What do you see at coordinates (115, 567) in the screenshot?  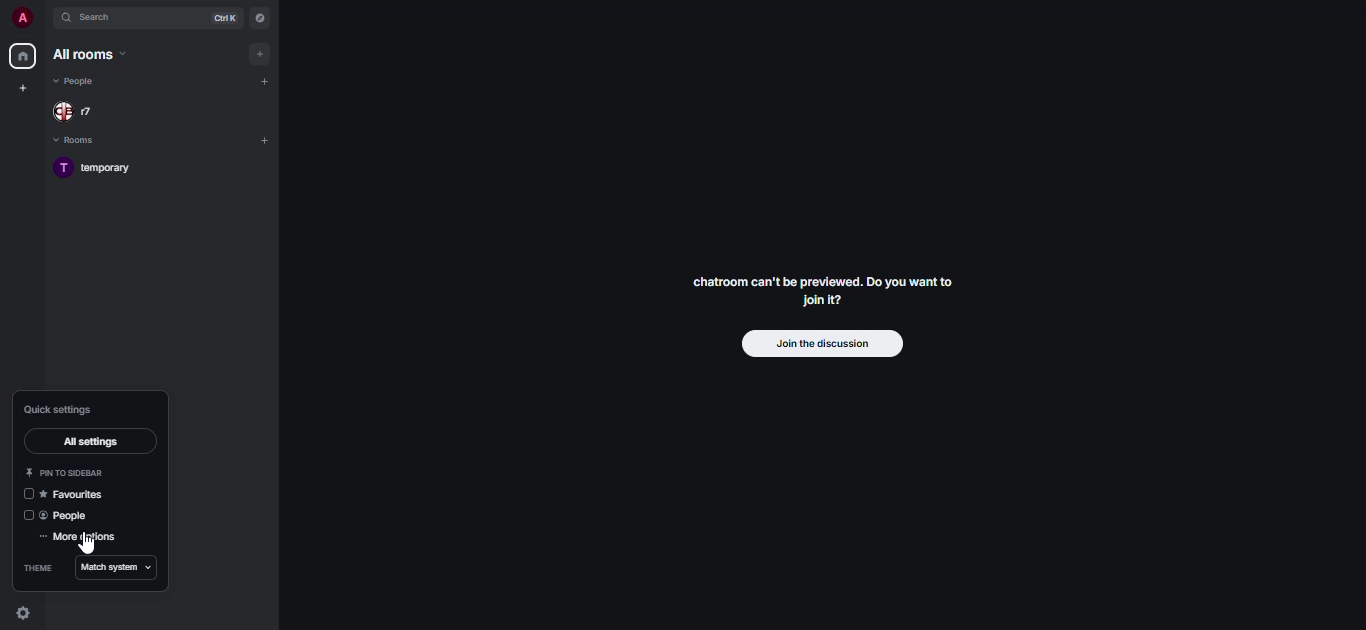 I see `match system` at bounding box center [115, 567].